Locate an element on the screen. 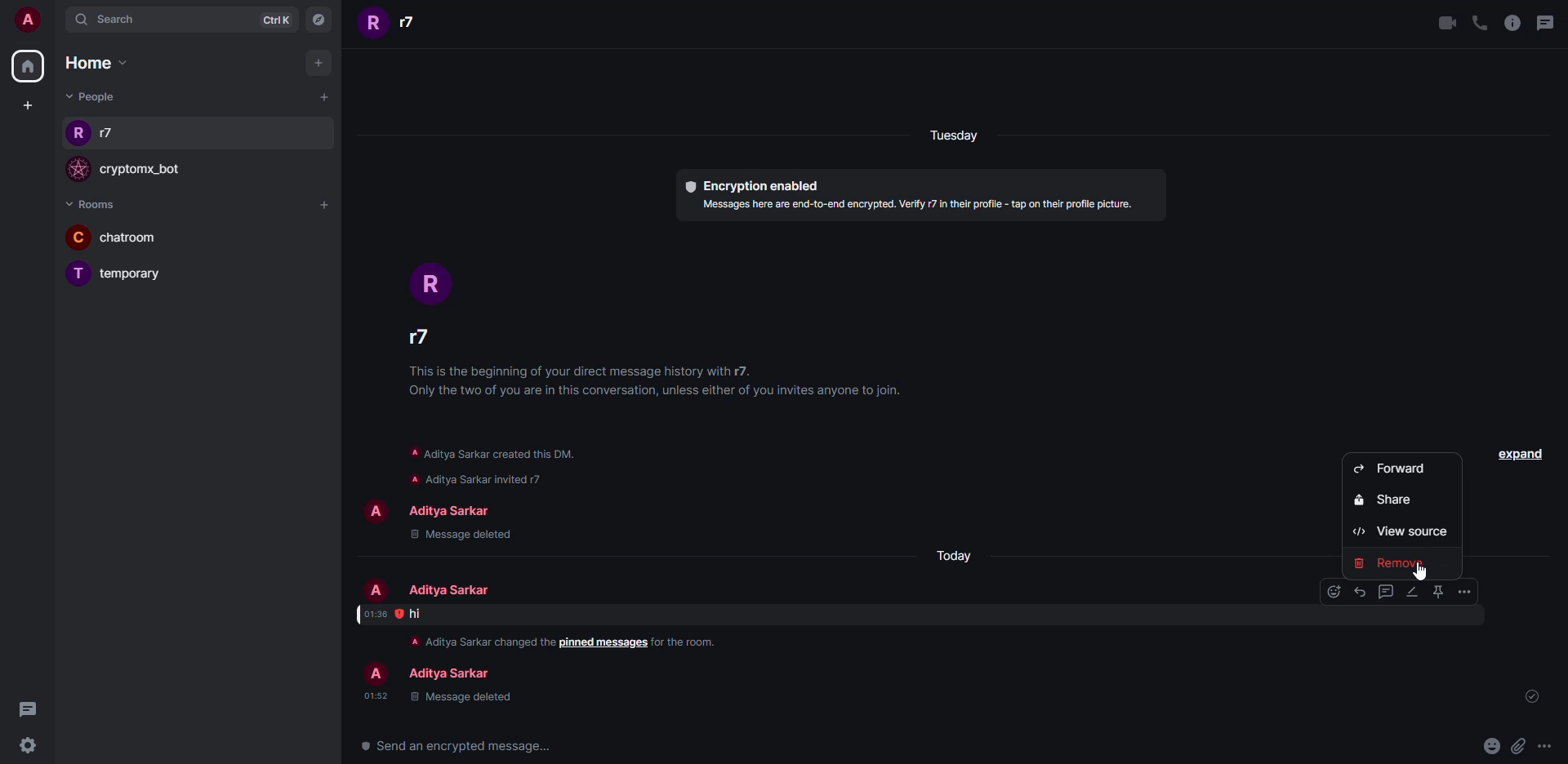 This screenshot has width=1568, height=764. bot is located at coordinates (144, 171).